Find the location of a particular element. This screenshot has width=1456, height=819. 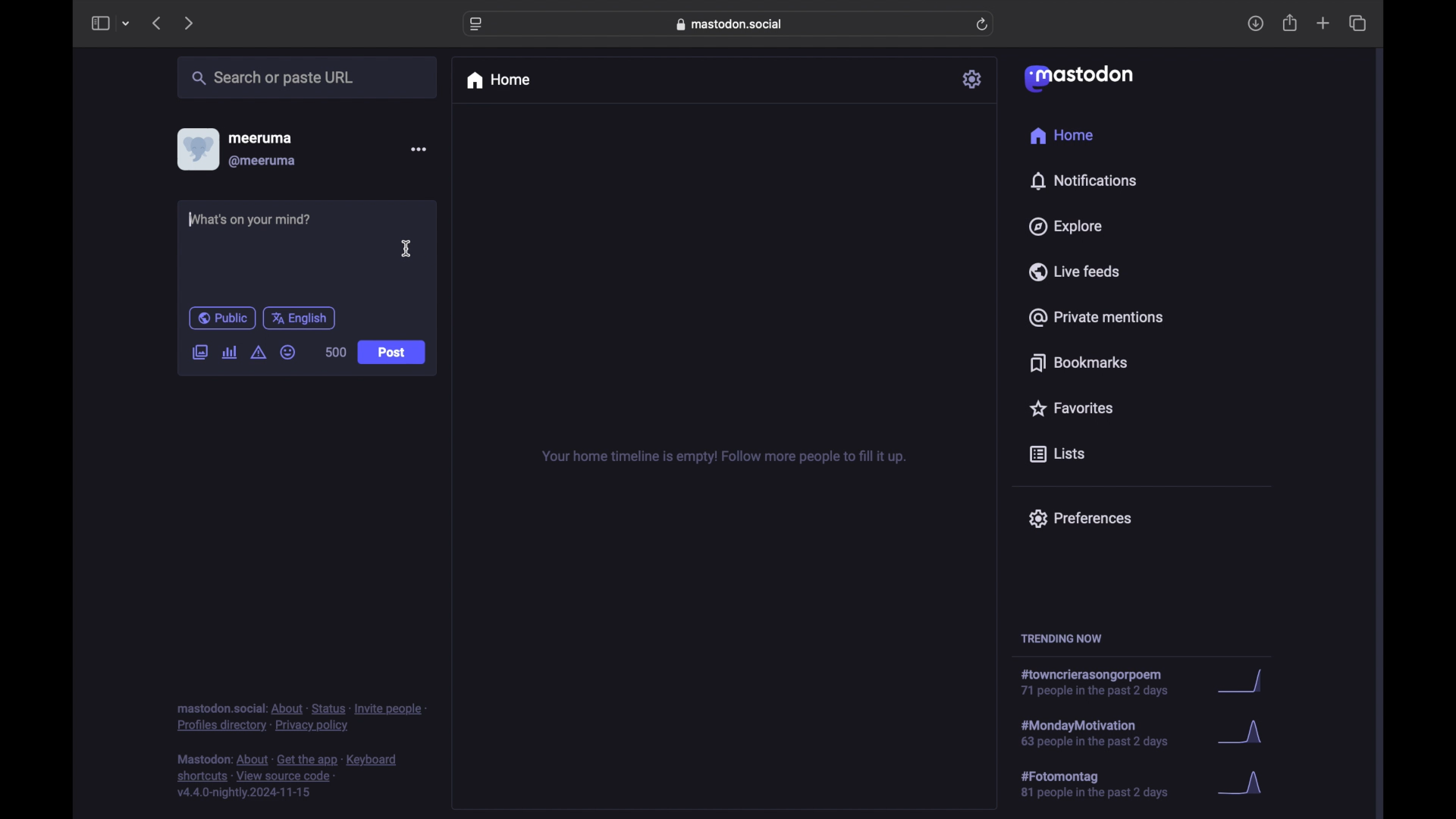

graph is located at coordinates (1246, 682).